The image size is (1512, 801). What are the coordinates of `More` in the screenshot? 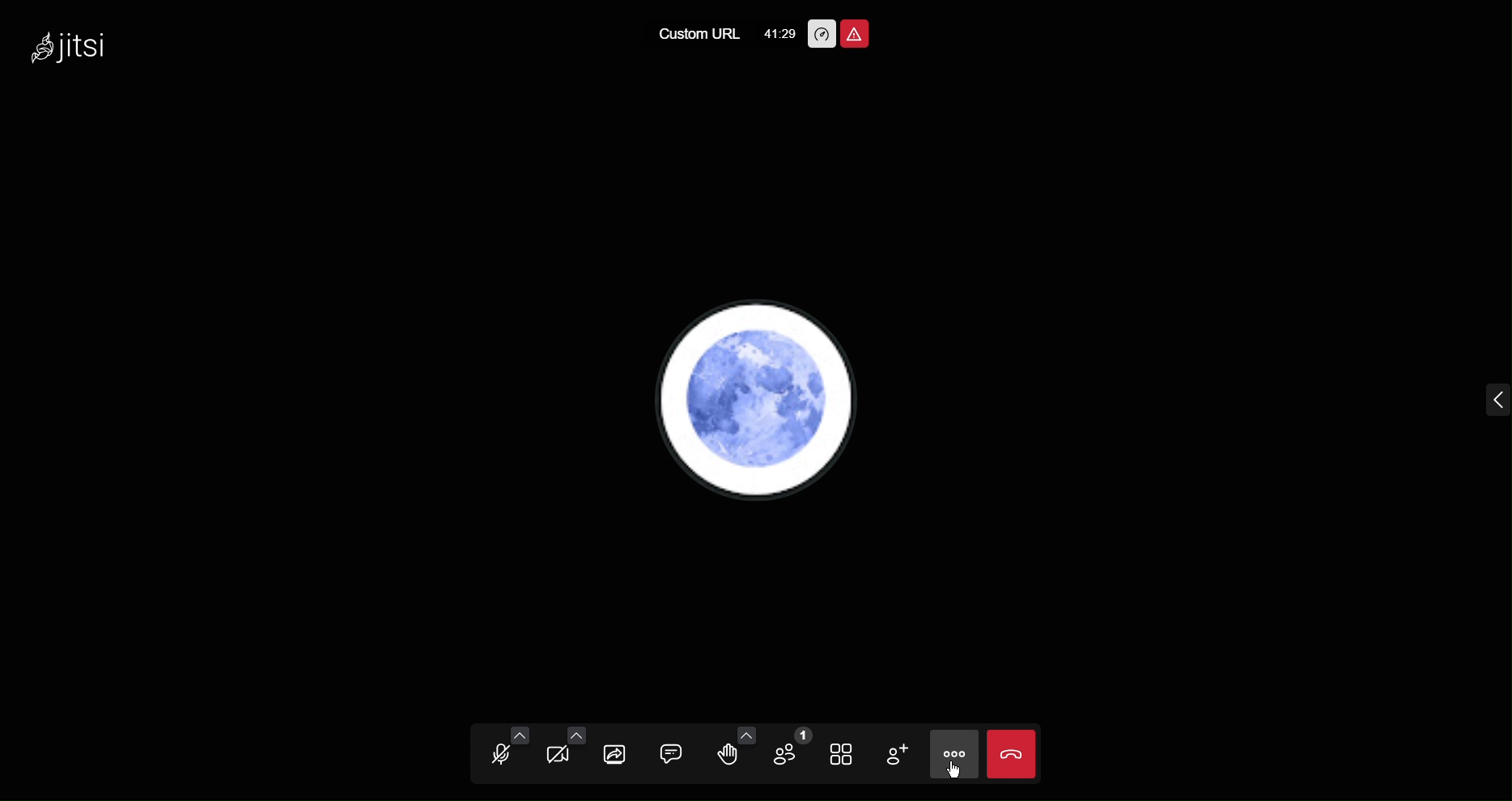 It's located at (956, 755).